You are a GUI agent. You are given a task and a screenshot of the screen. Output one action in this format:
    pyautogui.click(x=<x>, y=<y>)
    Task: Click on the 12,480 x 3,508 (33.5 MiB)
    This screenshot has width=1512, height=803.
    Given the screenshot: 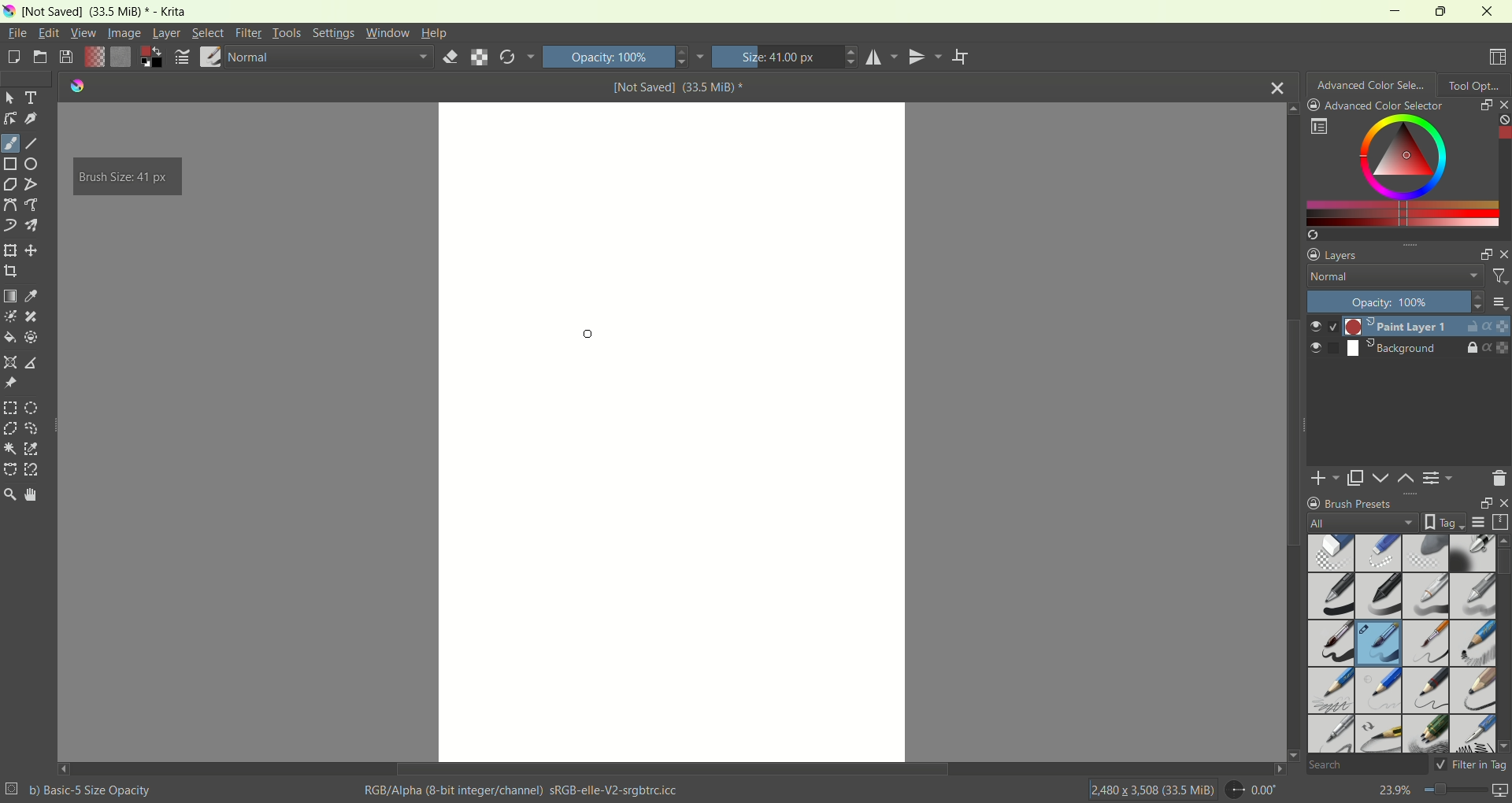 What is the action you would take?
    pyautogui.click(x=1151, y=789)
    